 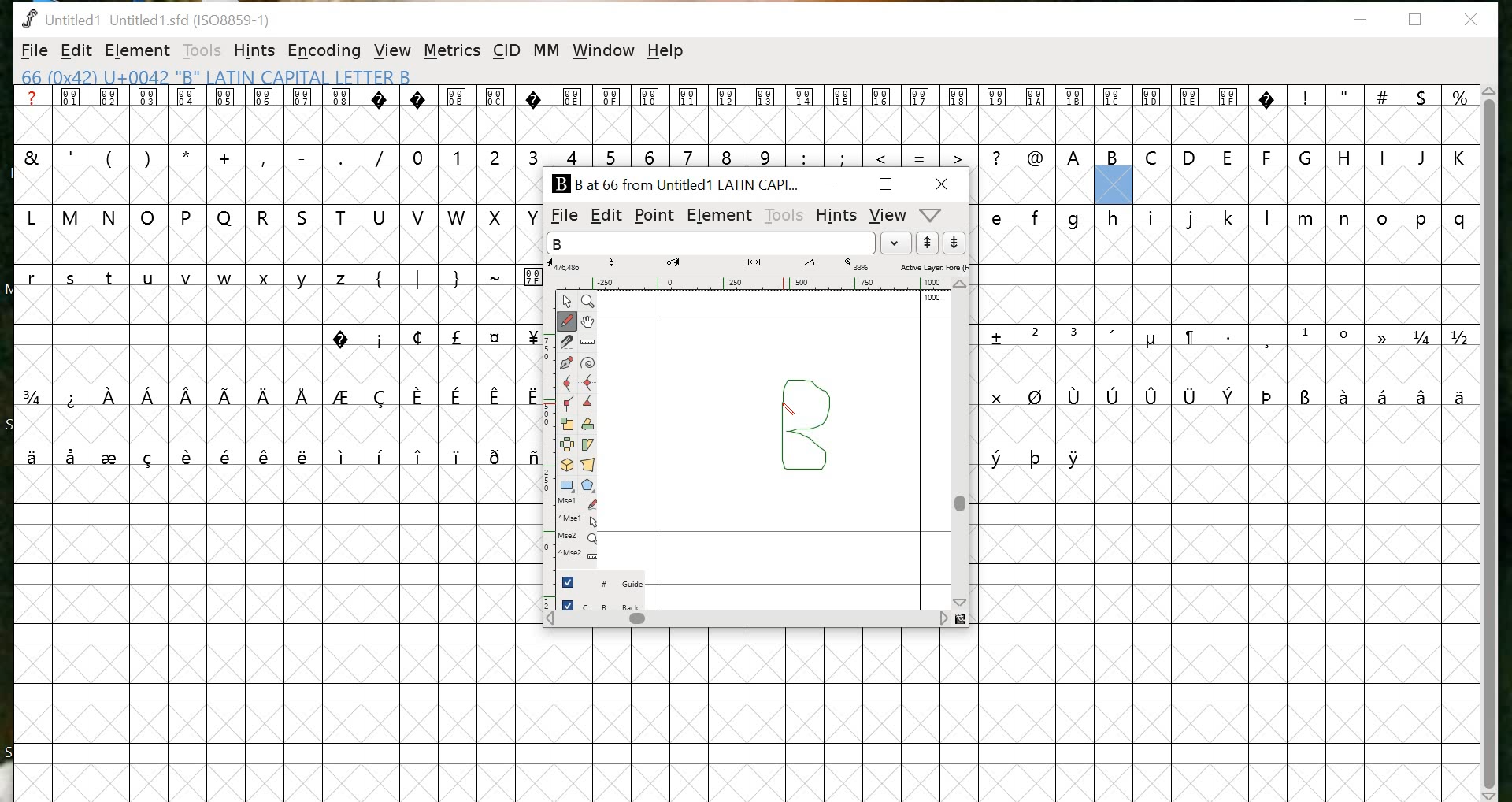 I want to click on EDIT, so click(x=76, y=50).